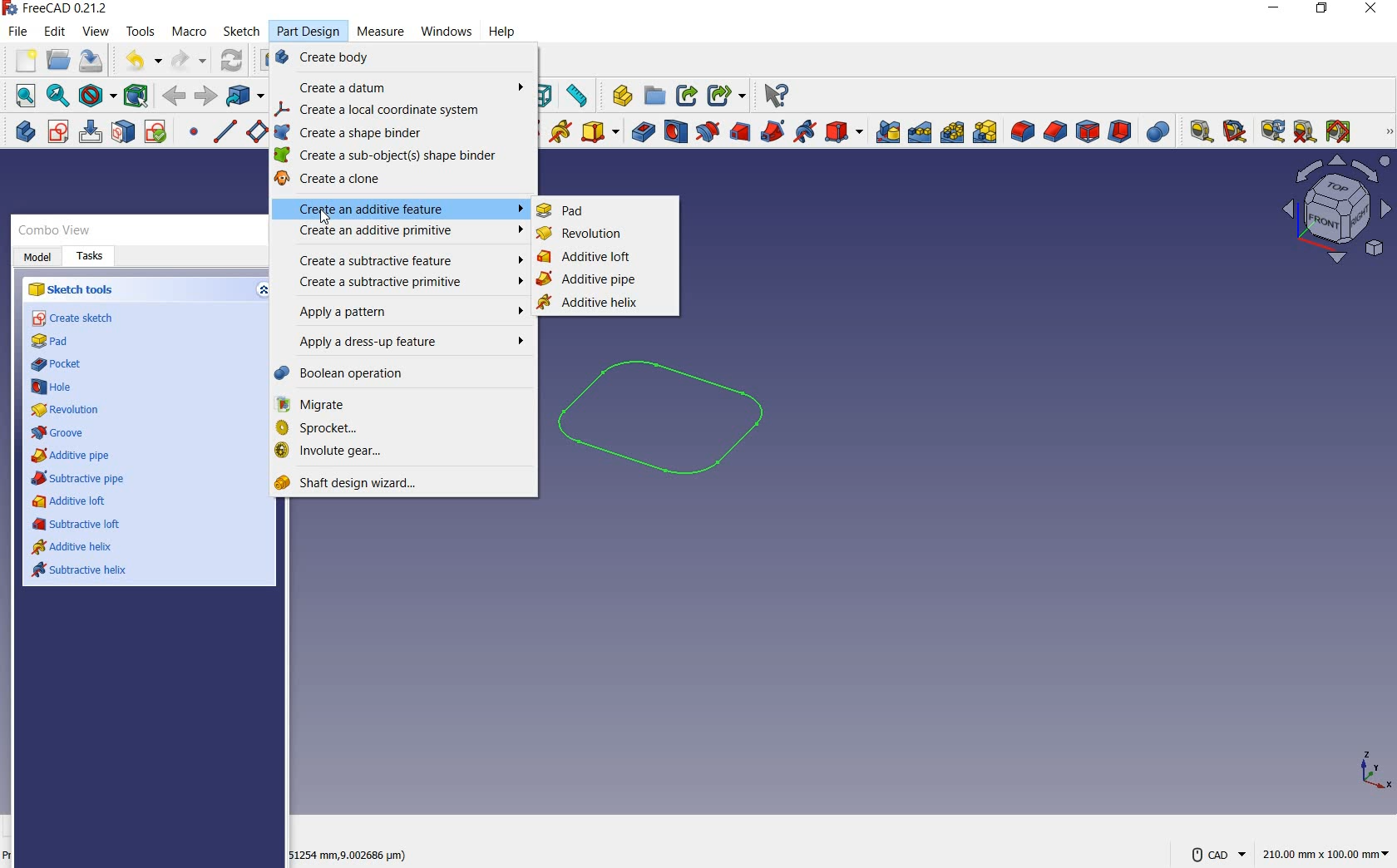 The image size is (1397, 868). I want to click on create a shape binder, so click(397, 134).